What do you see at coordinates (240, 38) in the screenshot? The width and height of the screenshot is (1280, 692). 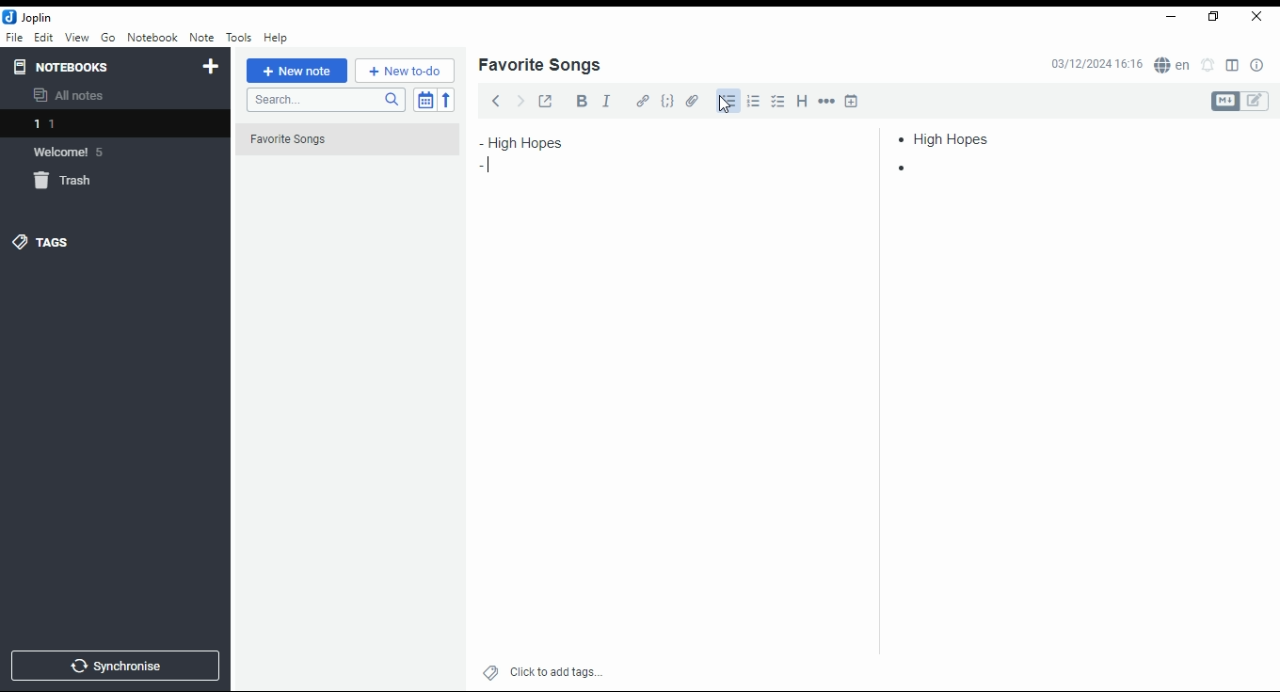 I see `tools` at bounding box center [240, 38].